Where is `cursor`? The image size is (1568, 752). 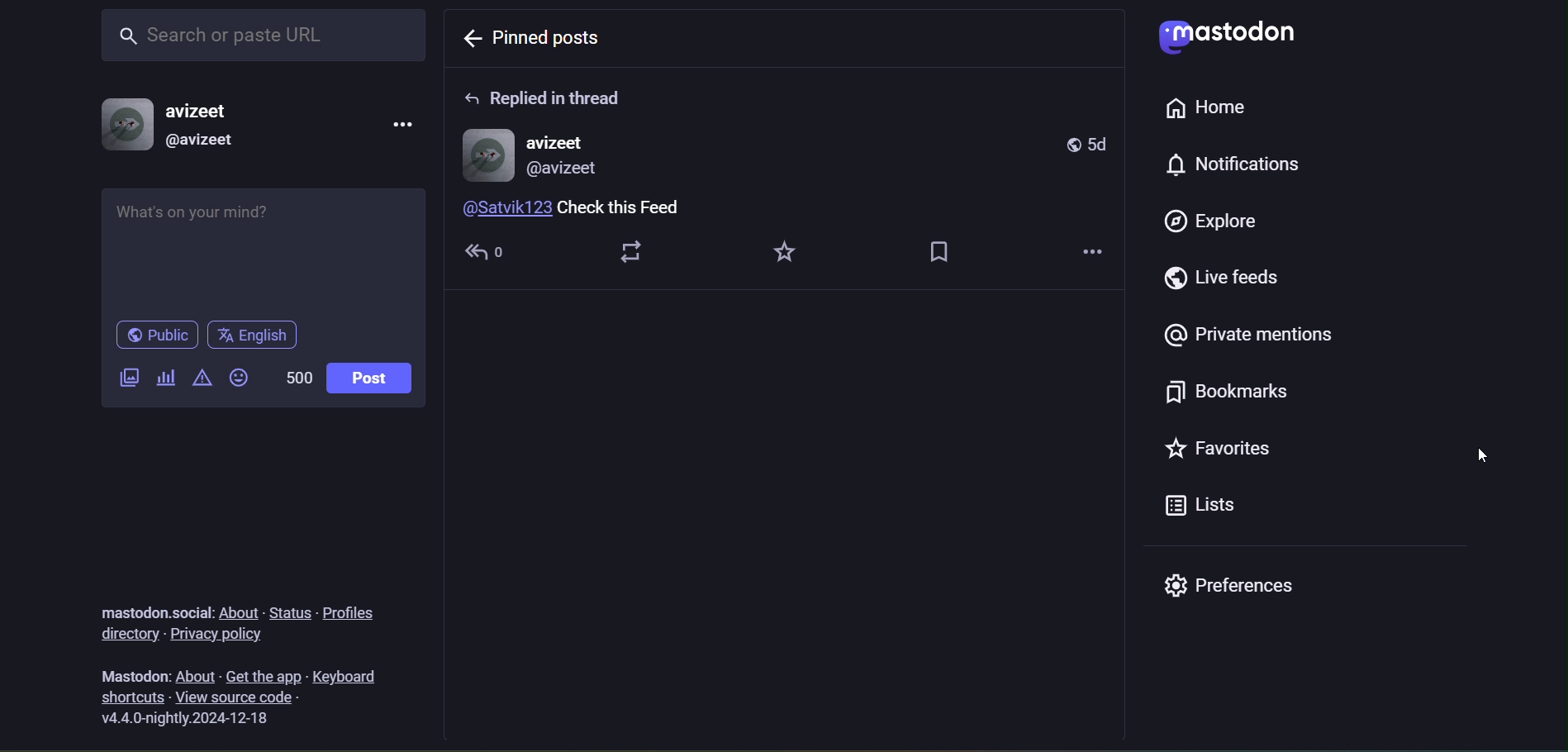 cursor is located at coordinates (1482, 456).